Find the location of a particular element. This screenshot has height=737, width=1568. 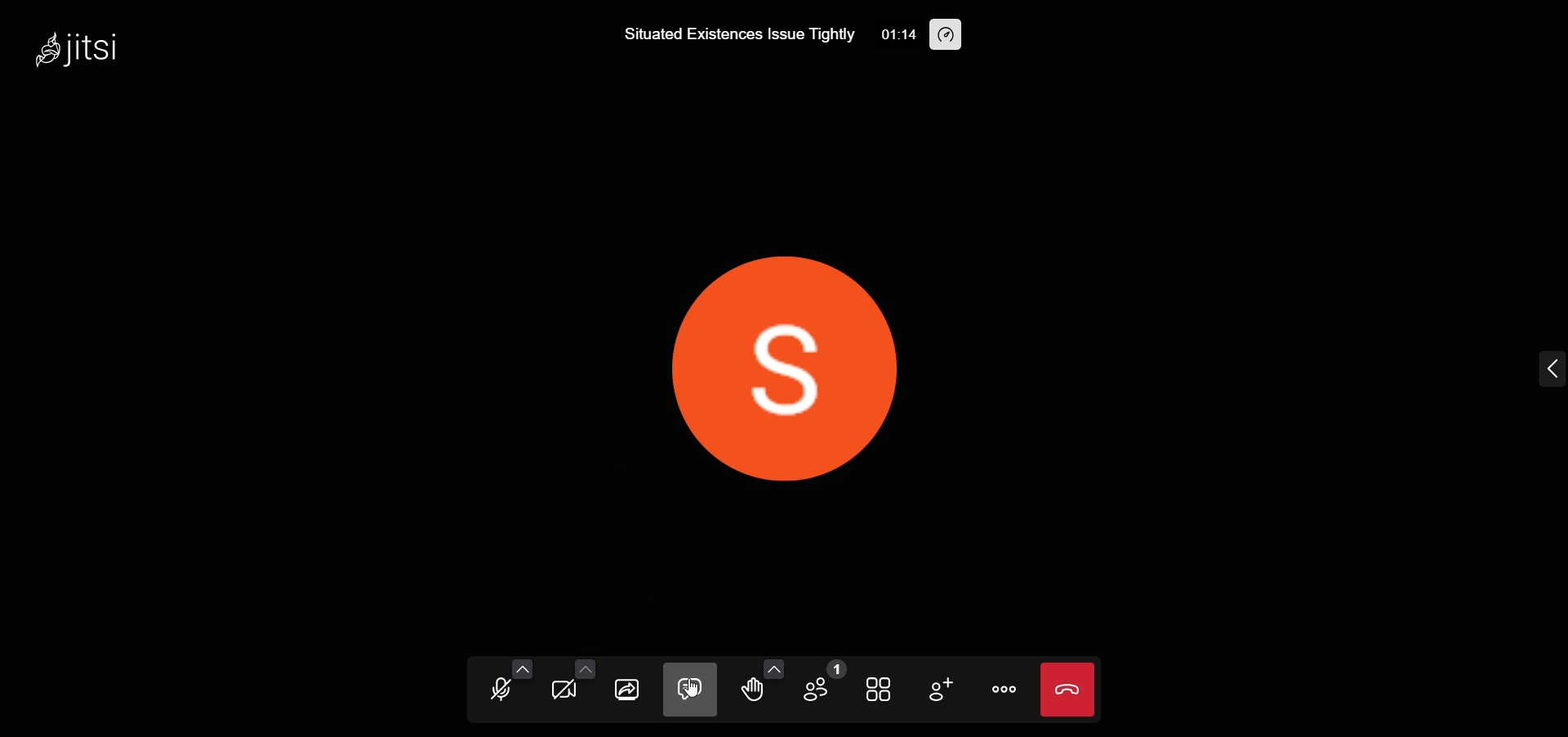

leave meeting is located at coordinates (1067, 687).